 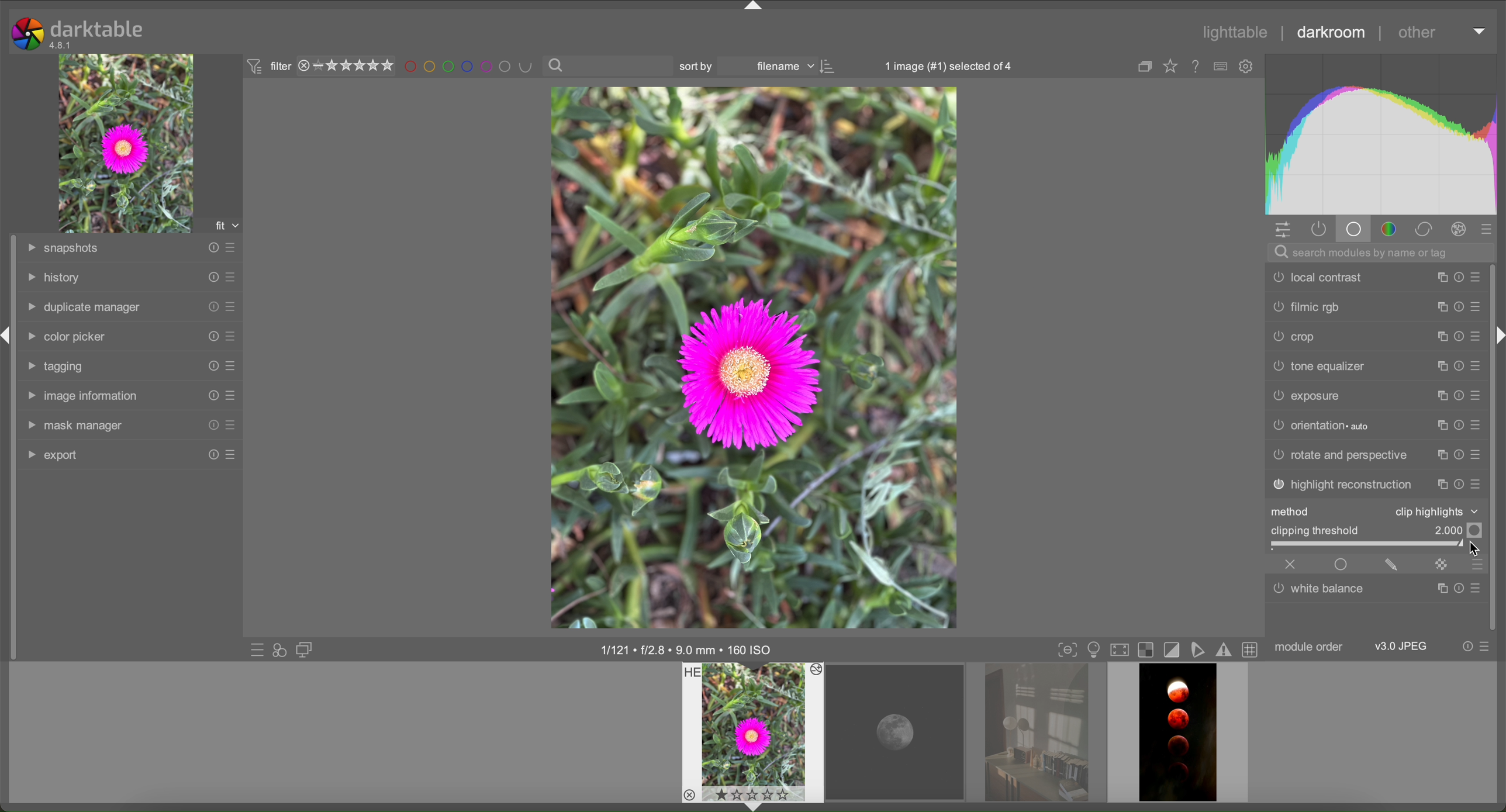 What do you see at coordinates (700, 66) in the screenshot?
I see `sort by` at bounding box center [700, 66].